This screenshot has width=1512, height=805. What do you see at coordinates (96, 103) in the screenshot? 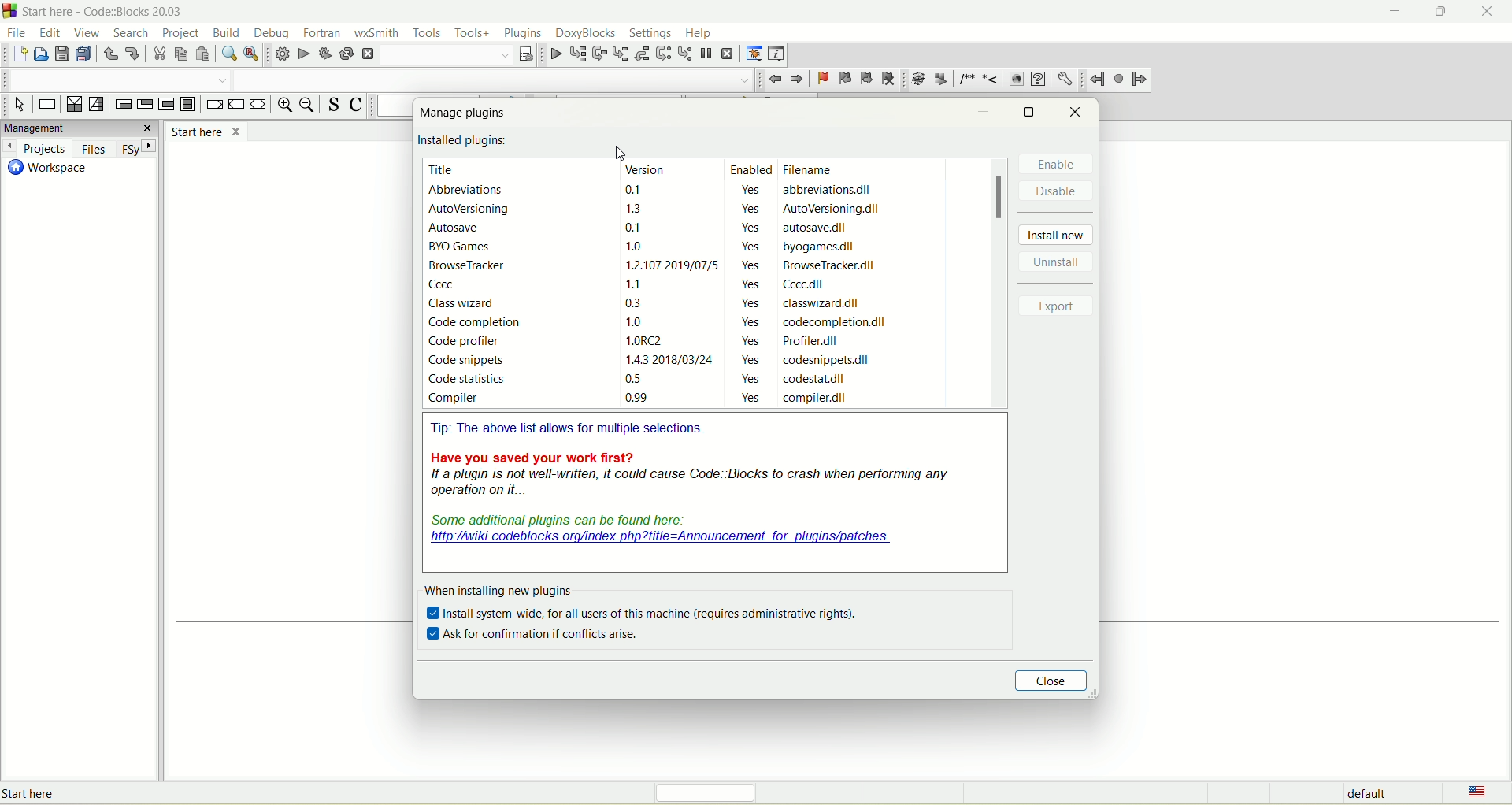
I see `selection` at bounding box center [96, 103].